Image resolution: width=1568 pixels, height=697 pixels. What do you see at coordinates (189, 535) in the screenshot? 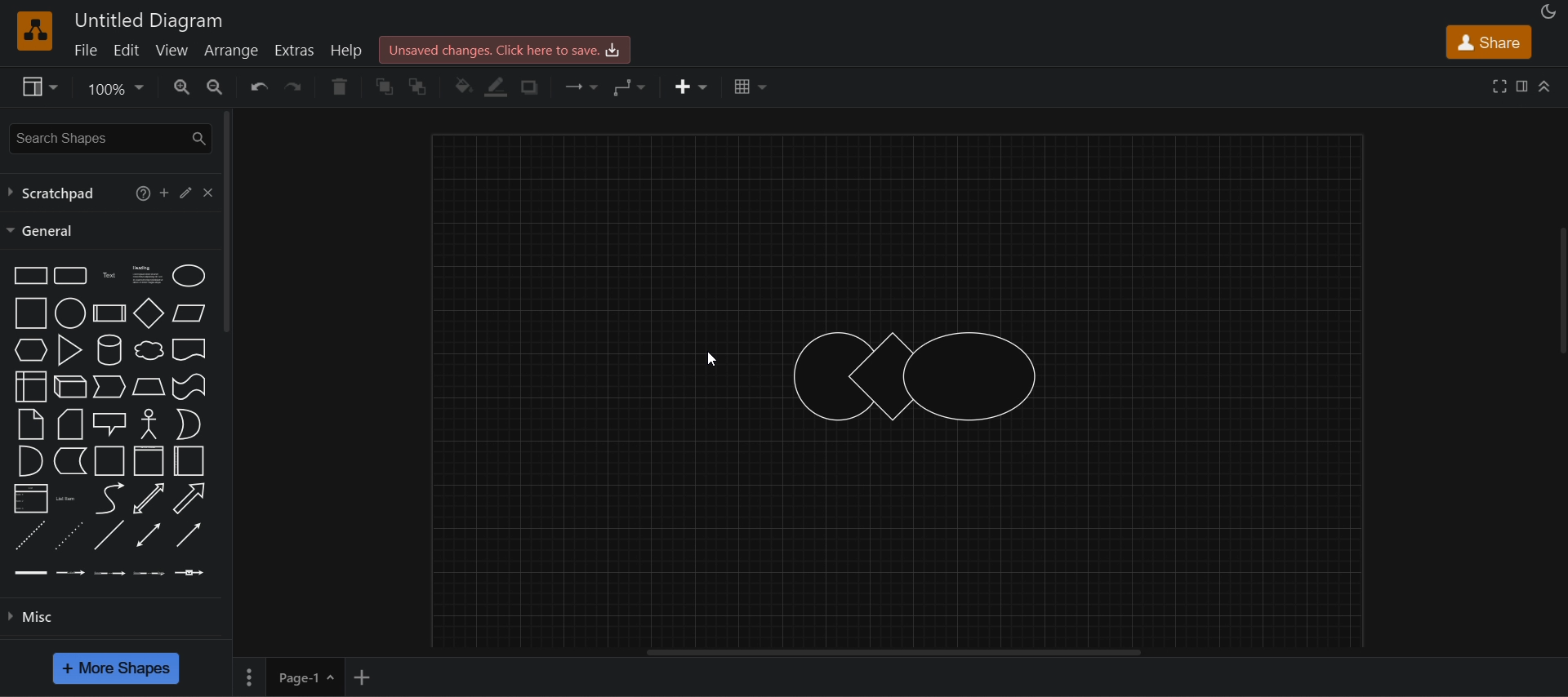
I see `Directional connector` at bounding box center [189, 535].